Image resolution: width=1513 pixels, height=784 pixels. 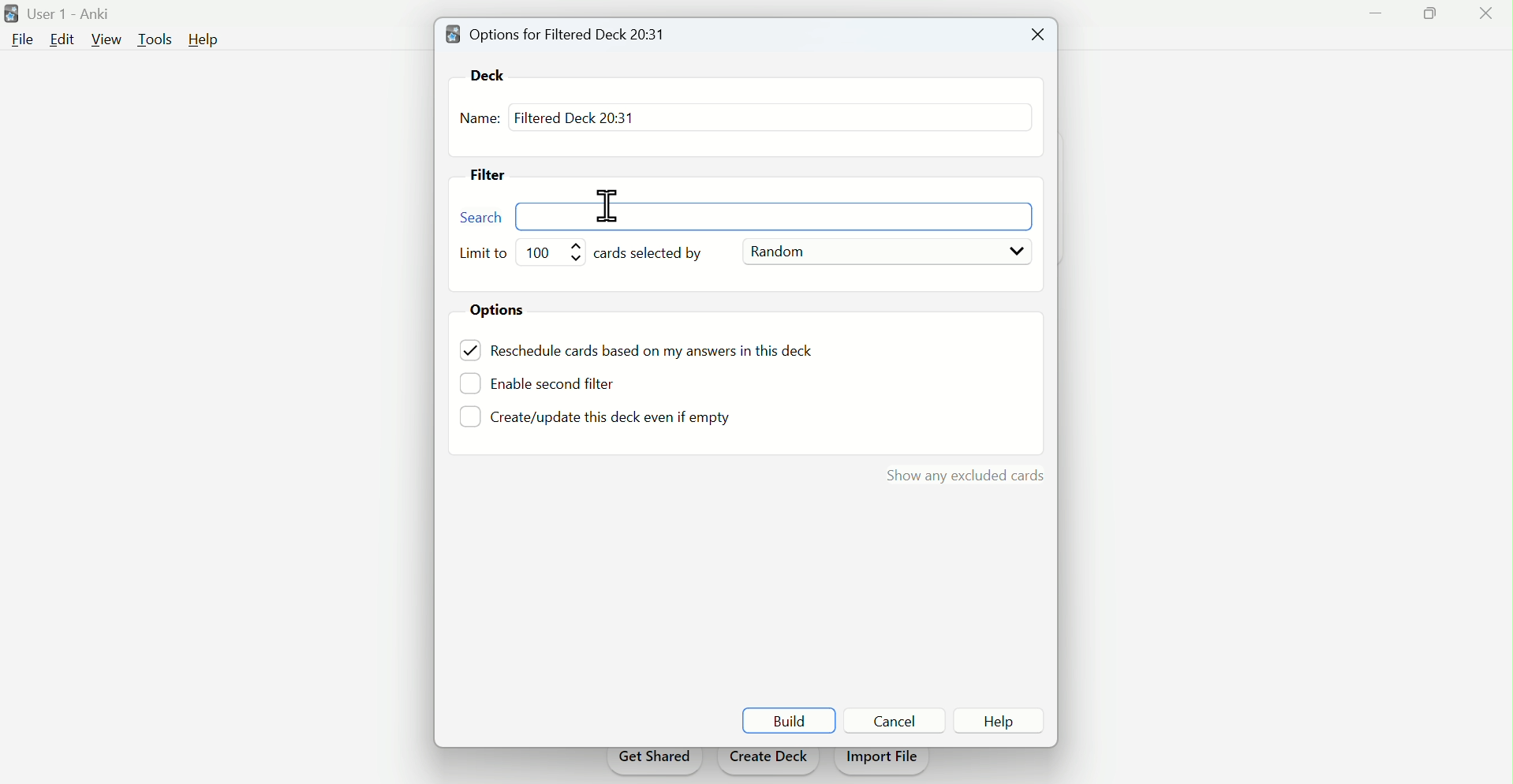 What do you see at coordinates (1482, 17) in the screenshot?
I see `Close` at bounding box center [1482, 17].